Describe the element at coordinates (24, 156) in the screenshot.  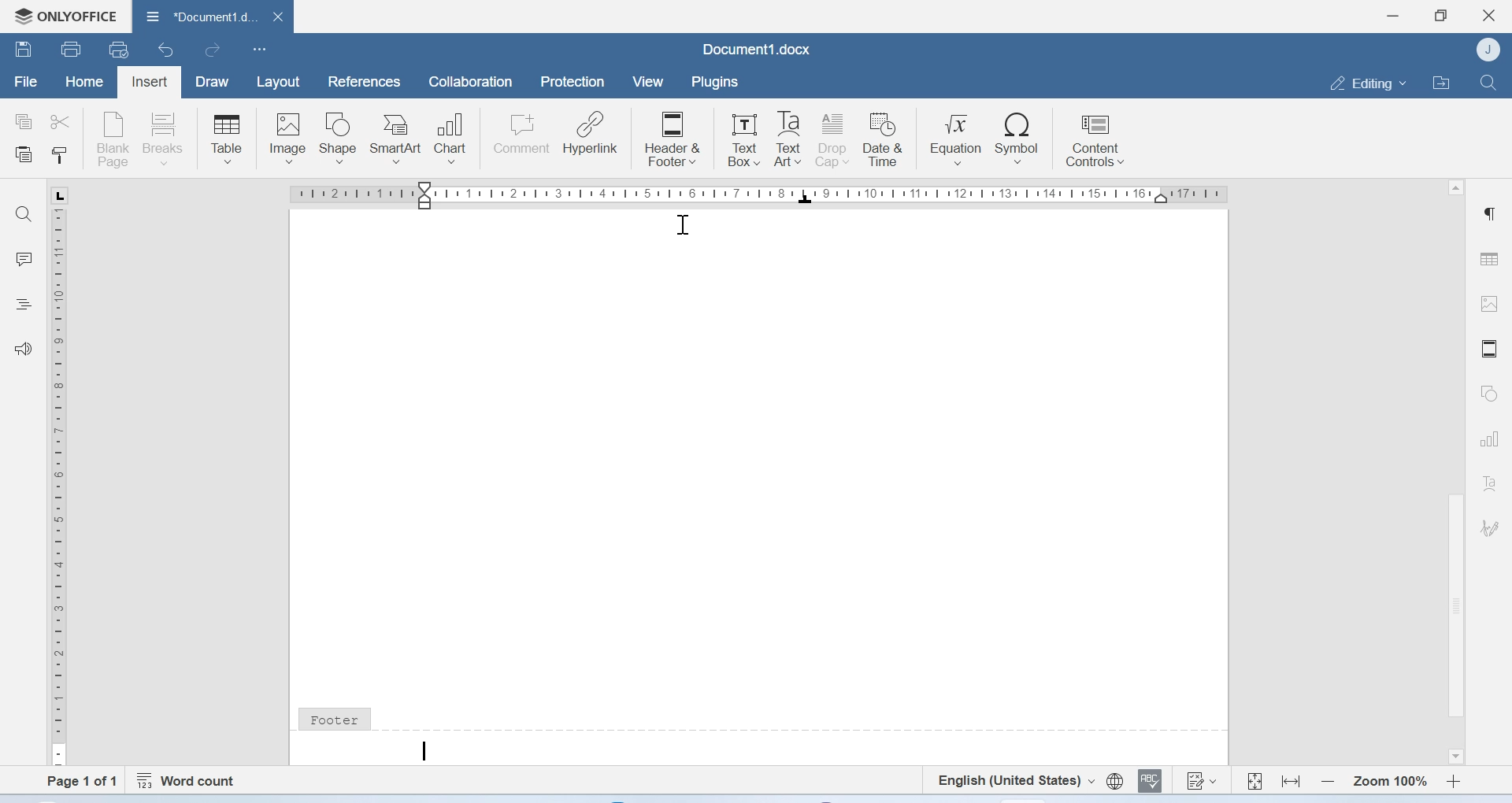
I see `Paste` at that location.